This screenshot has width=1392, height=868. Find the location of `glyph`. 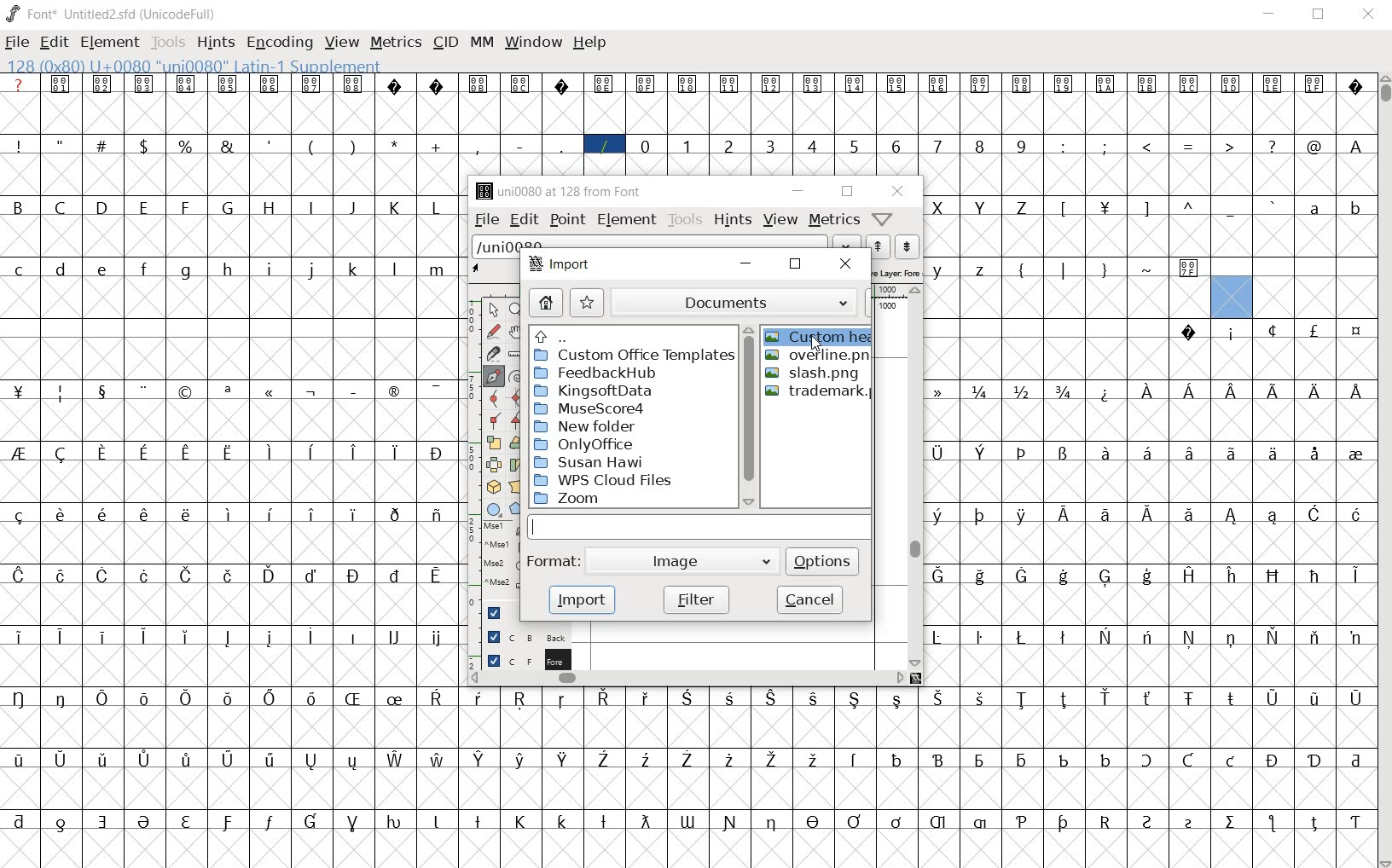

glyph is located at coordinates (270, 85).